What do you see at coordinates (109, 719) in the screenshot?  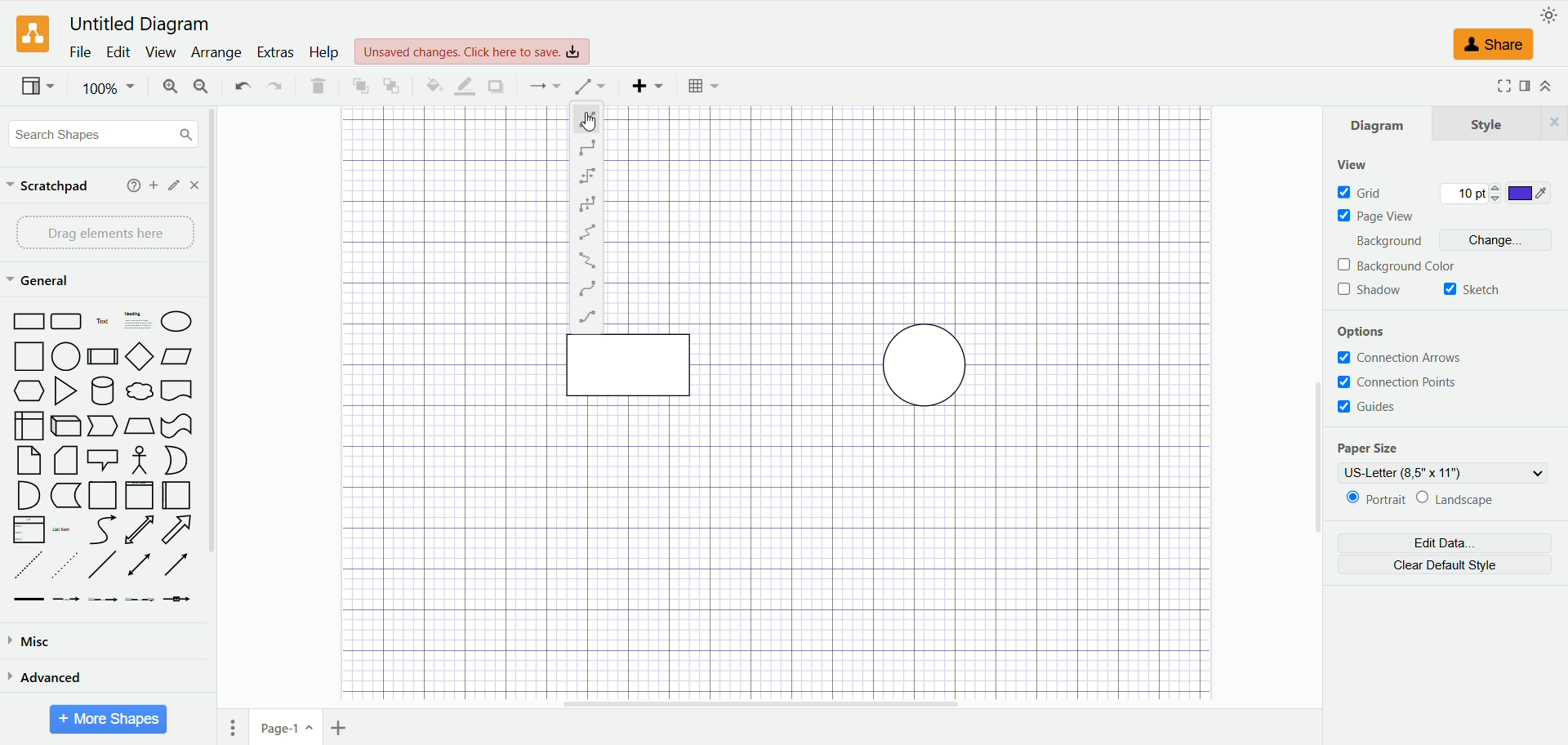 I see `More Shapes` at bounding box center [109, 719].